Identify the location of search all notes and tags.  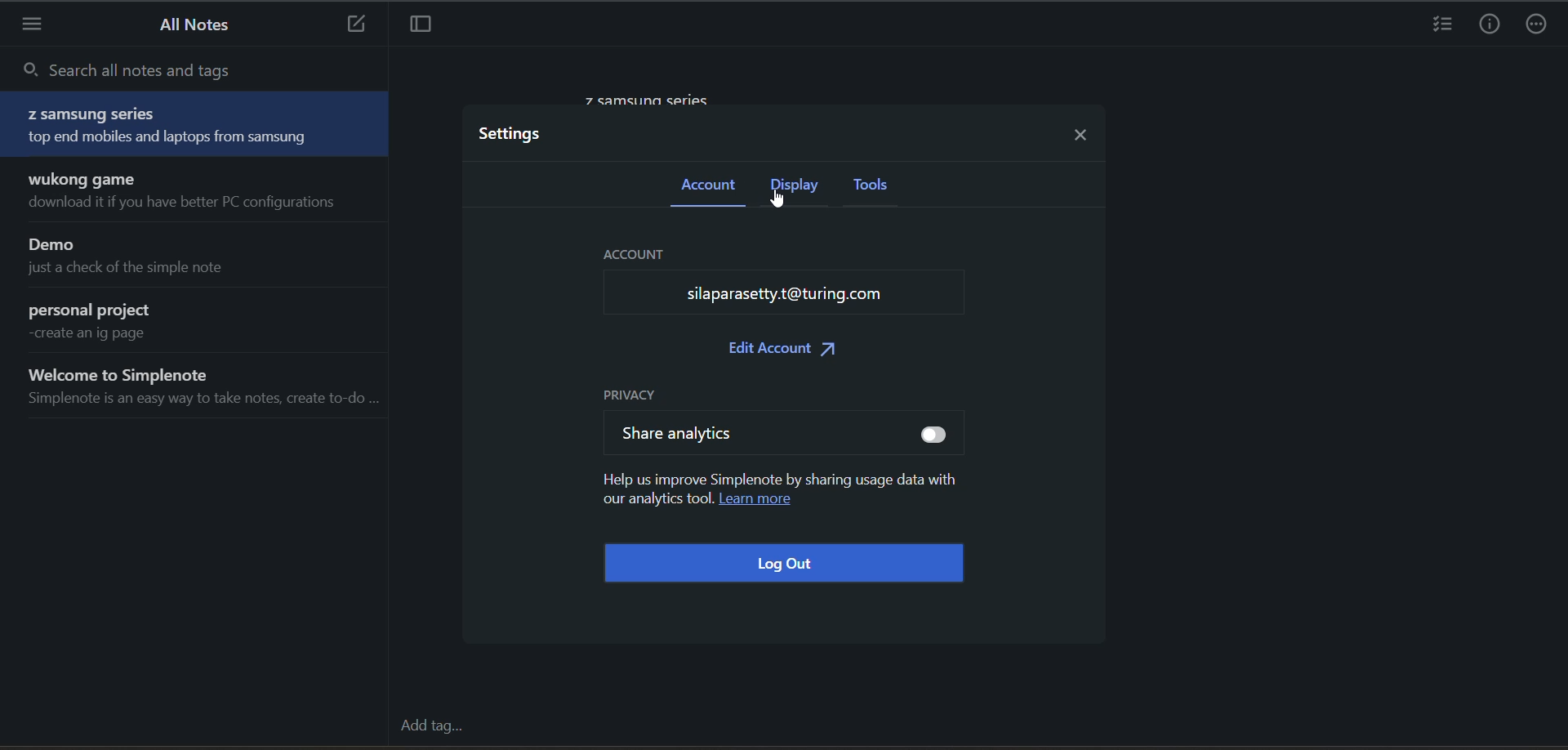
(195, 71).